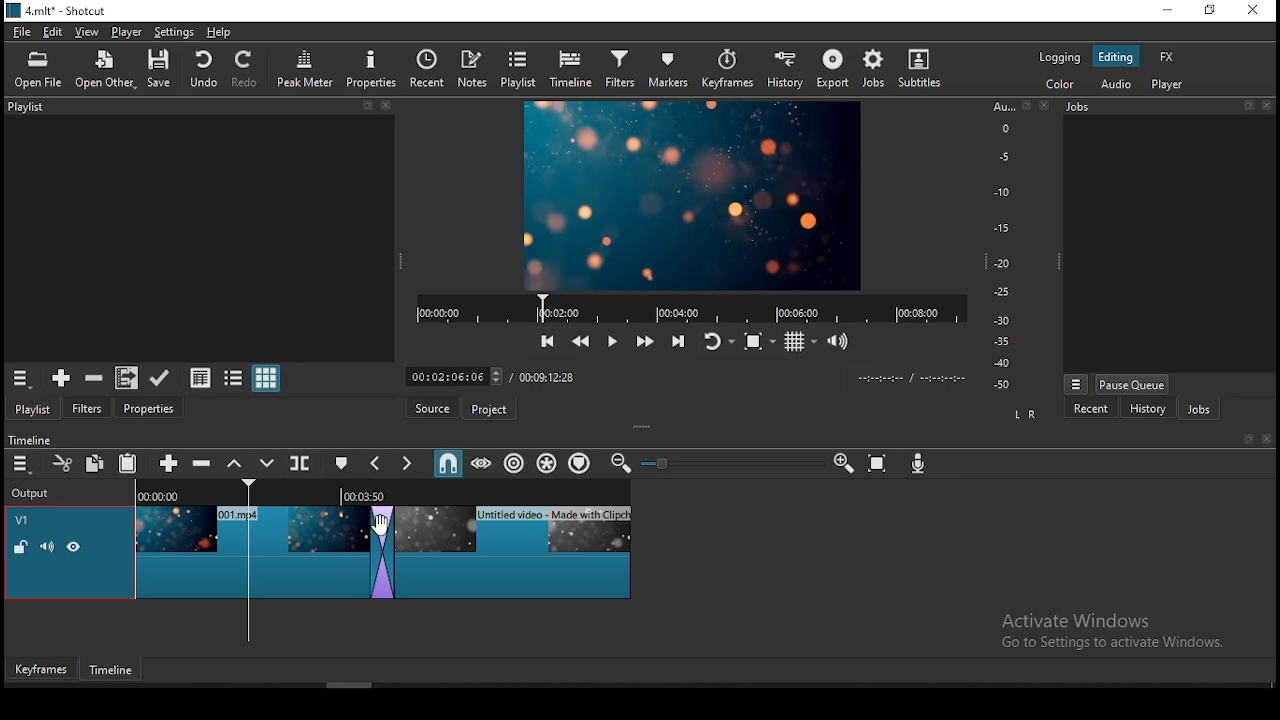 The height and width of the screenshot is (720, 1280). Describe the element at coordinates (515, 462) in the screenshot. I see `ripple` at that location.